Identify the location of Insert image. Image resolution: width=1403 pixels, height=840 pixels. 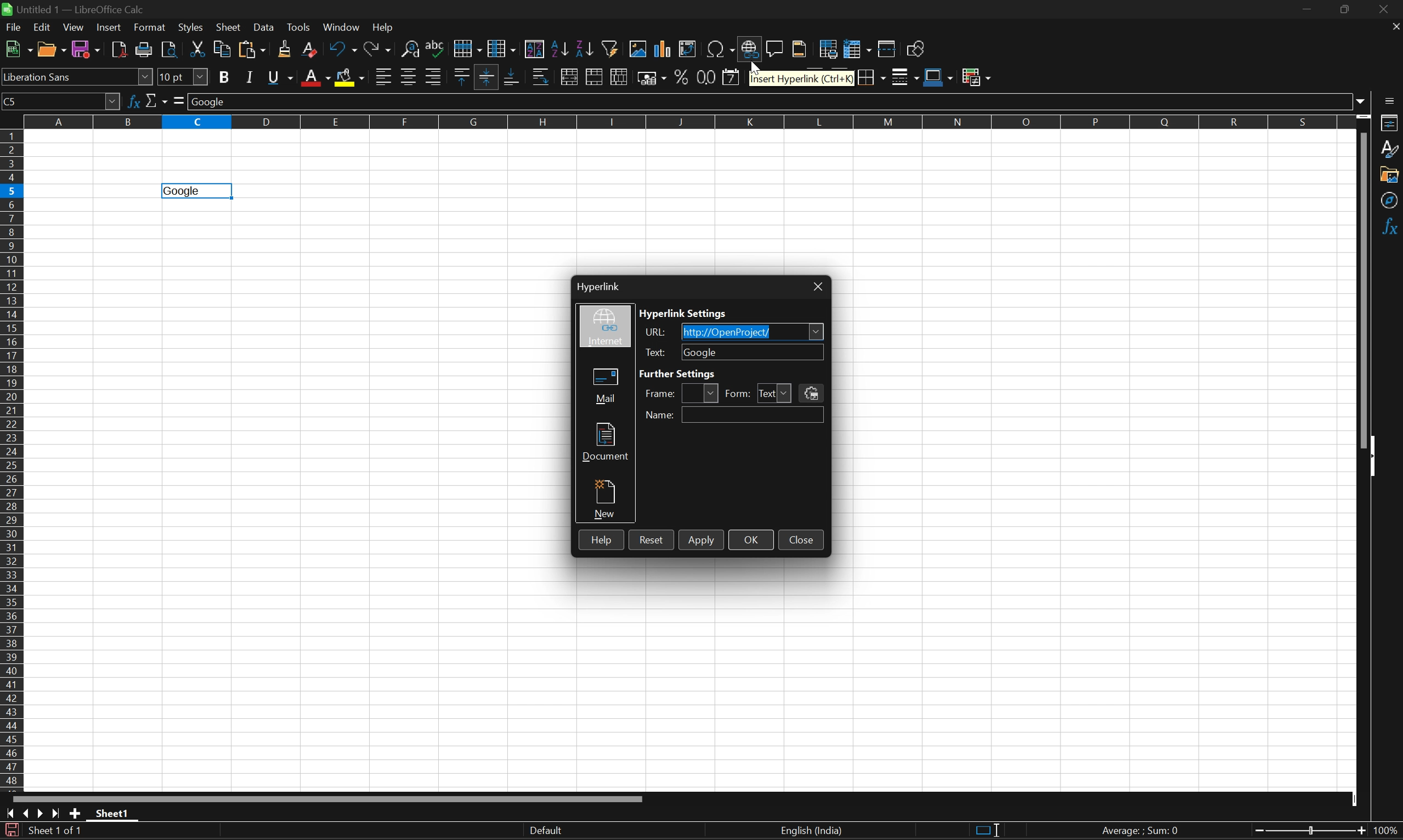
(639, 48).